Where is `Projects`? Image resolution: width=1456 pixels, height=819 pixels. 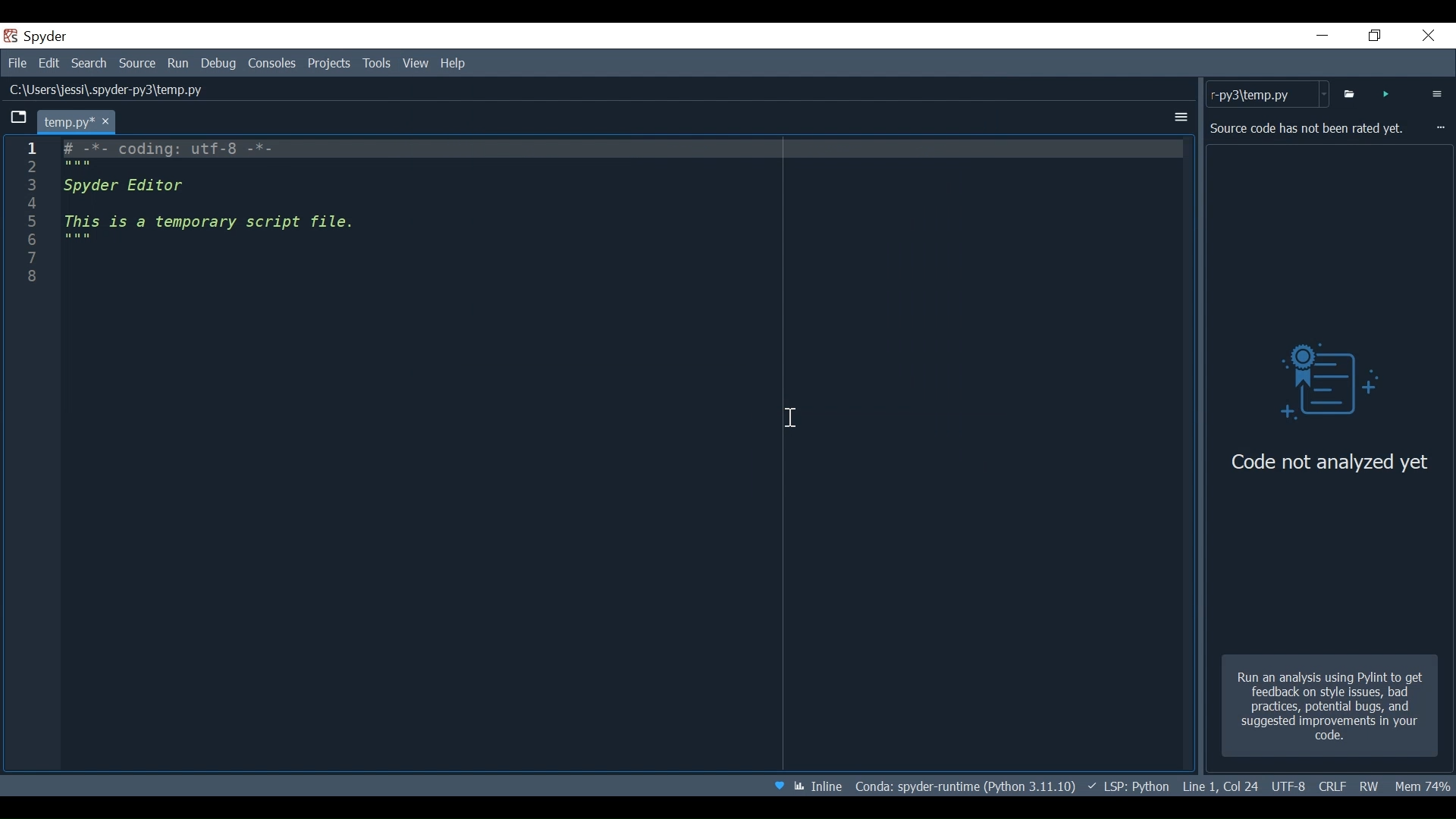 Projects is located at coordinates (329, 65).